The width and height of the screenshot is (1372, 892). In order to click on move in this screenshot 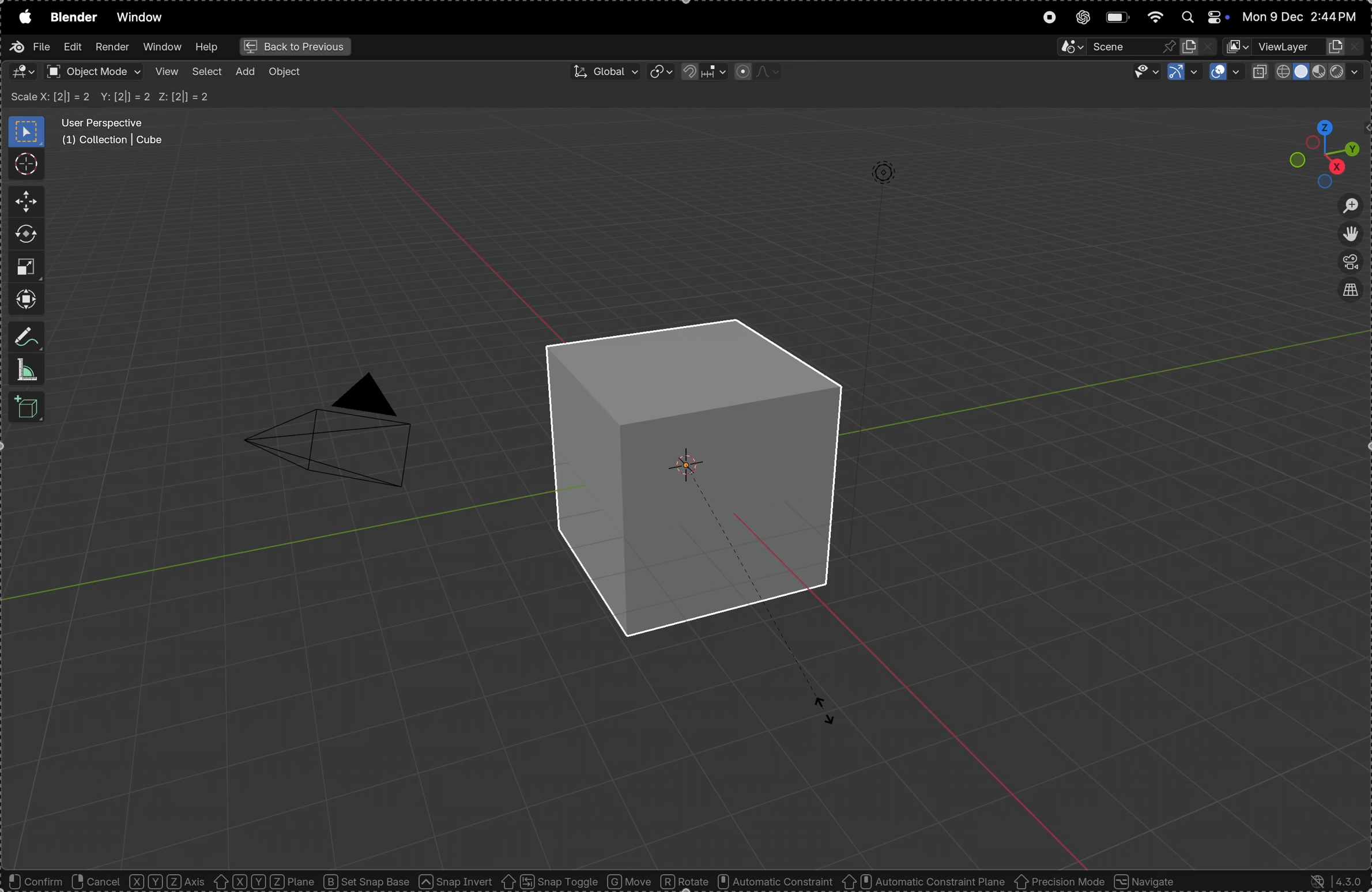, I will do `click(24, 201)`.